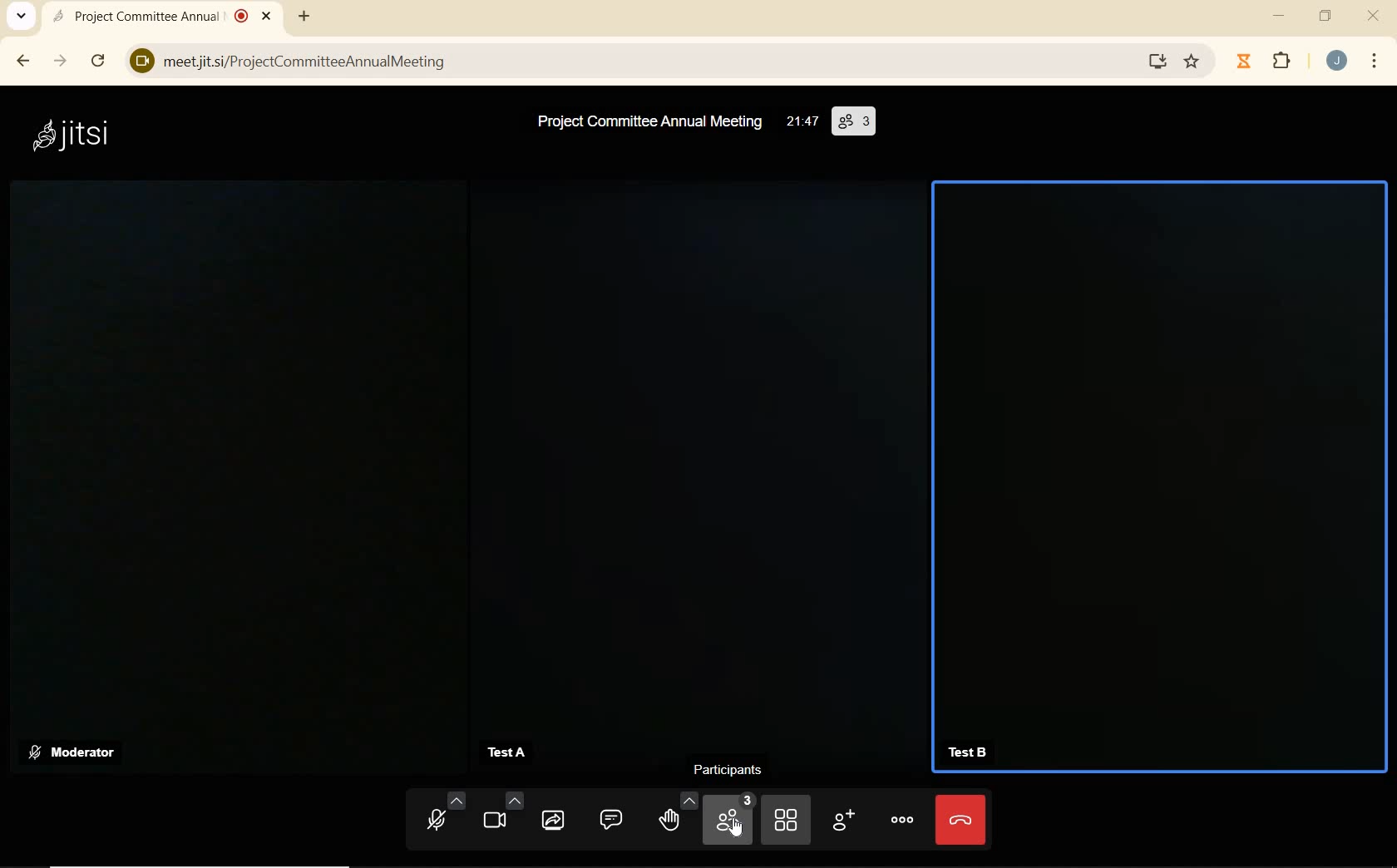 The image size is (1397, 868). Describe the element at coordinates (1244, 62) in the screenshot. I see `Jibble` at that location.